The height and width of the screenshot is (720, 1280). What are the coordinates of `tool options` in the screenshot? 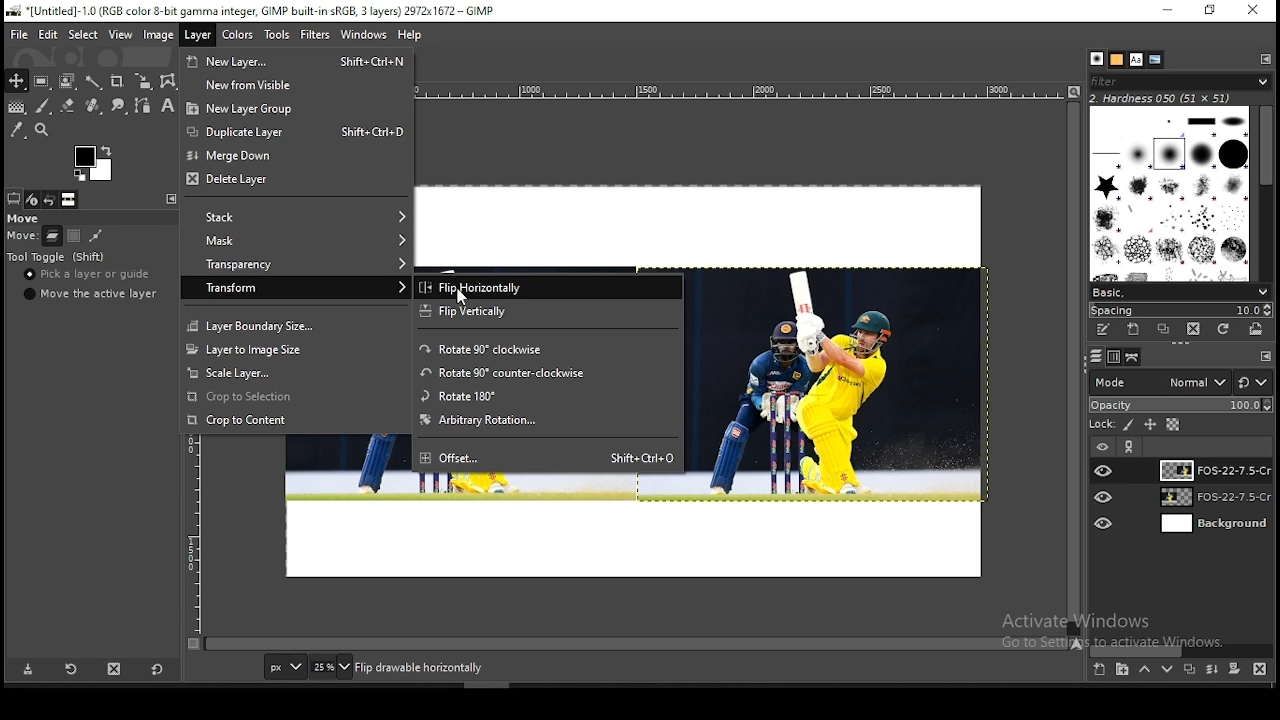 It's located at (14, 198).